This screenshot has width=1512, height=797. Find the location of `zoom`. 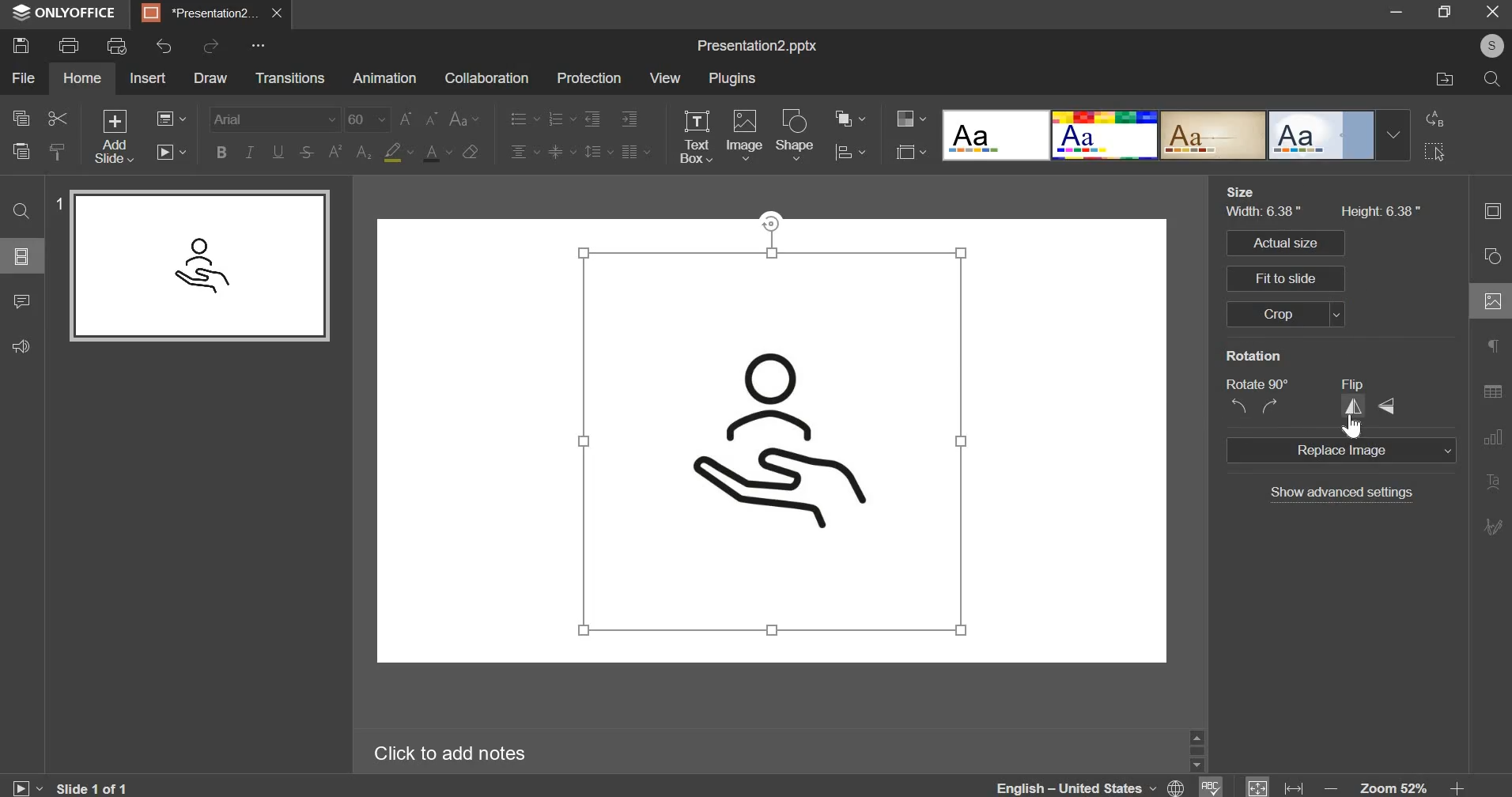

zoom is located at coordinates (1397, 785).